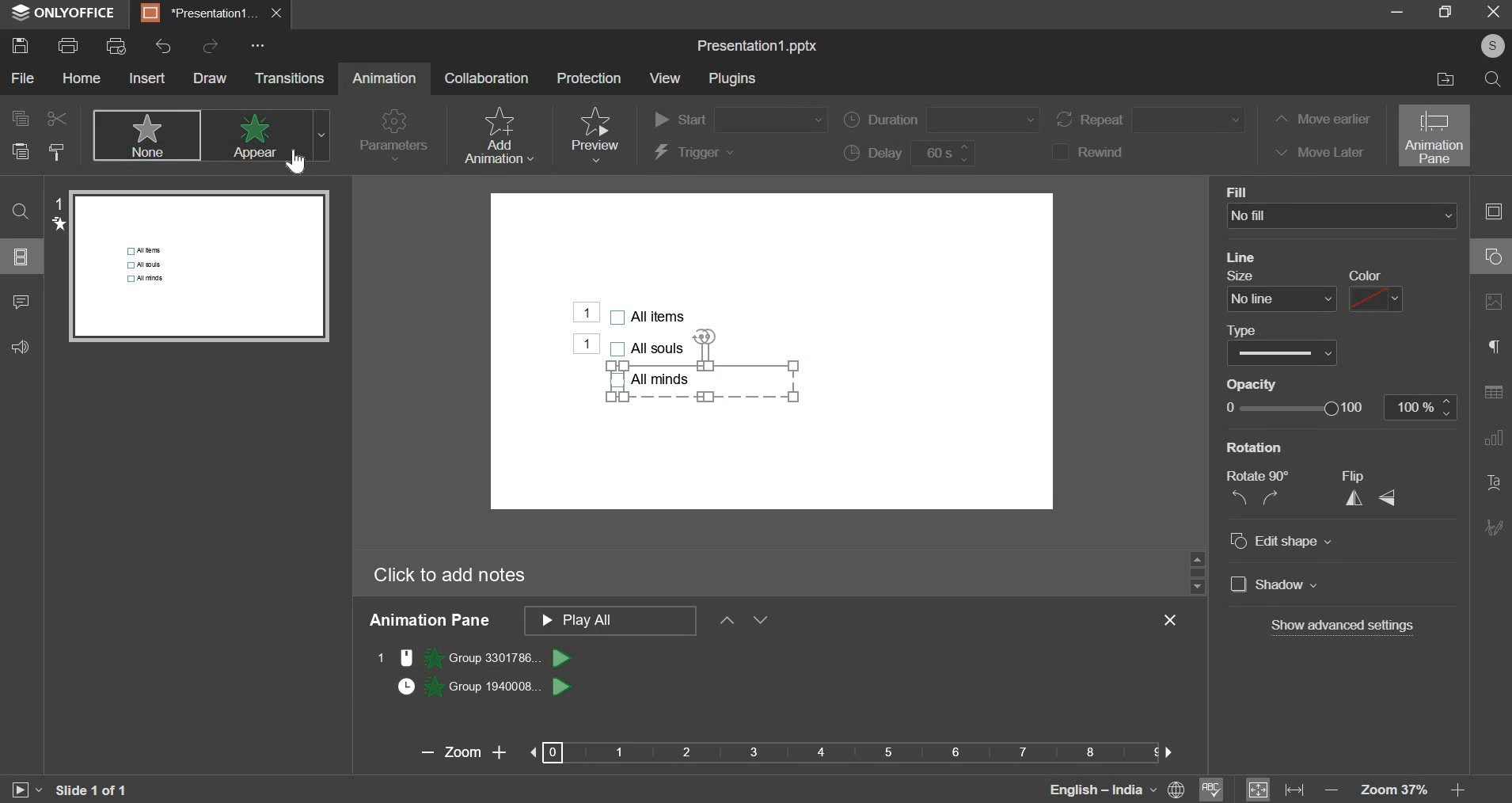 Image resolution: width=1512 pixels, height=803 pixels. I want to click on save, so click(19, 45).